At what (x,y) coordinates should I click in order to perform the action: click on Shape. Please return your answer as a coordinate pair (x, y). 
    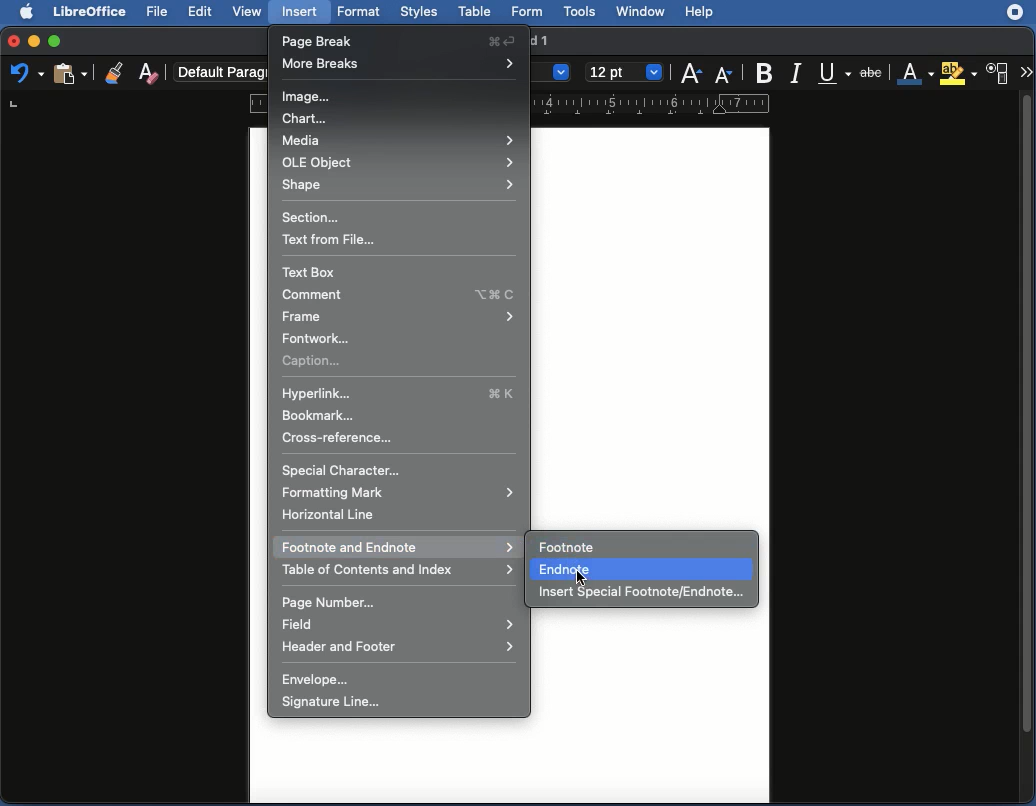
    Looking at the image, I should click on (403, 184).